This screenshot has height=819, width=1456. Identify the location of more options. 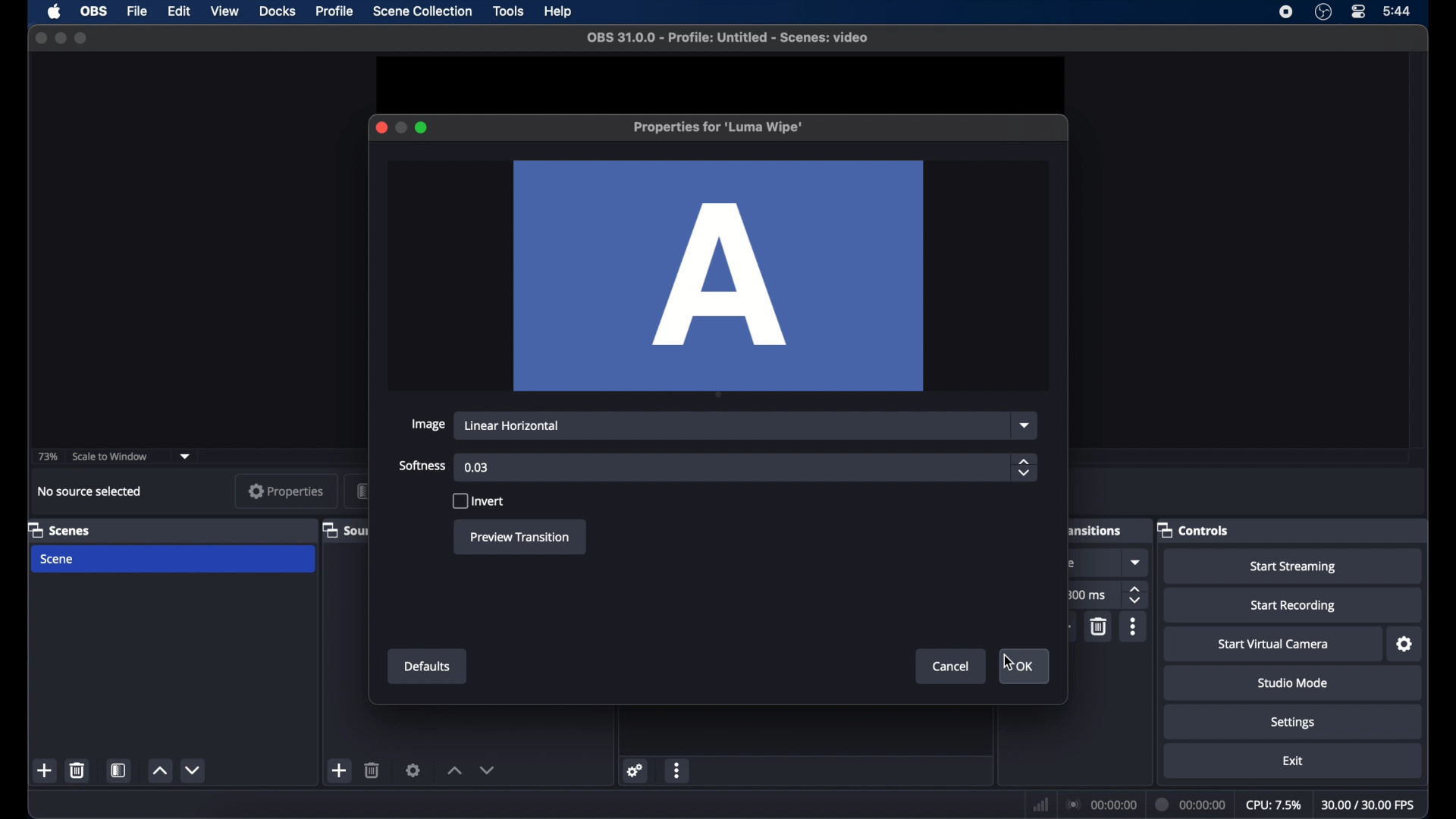
(1133, 626).